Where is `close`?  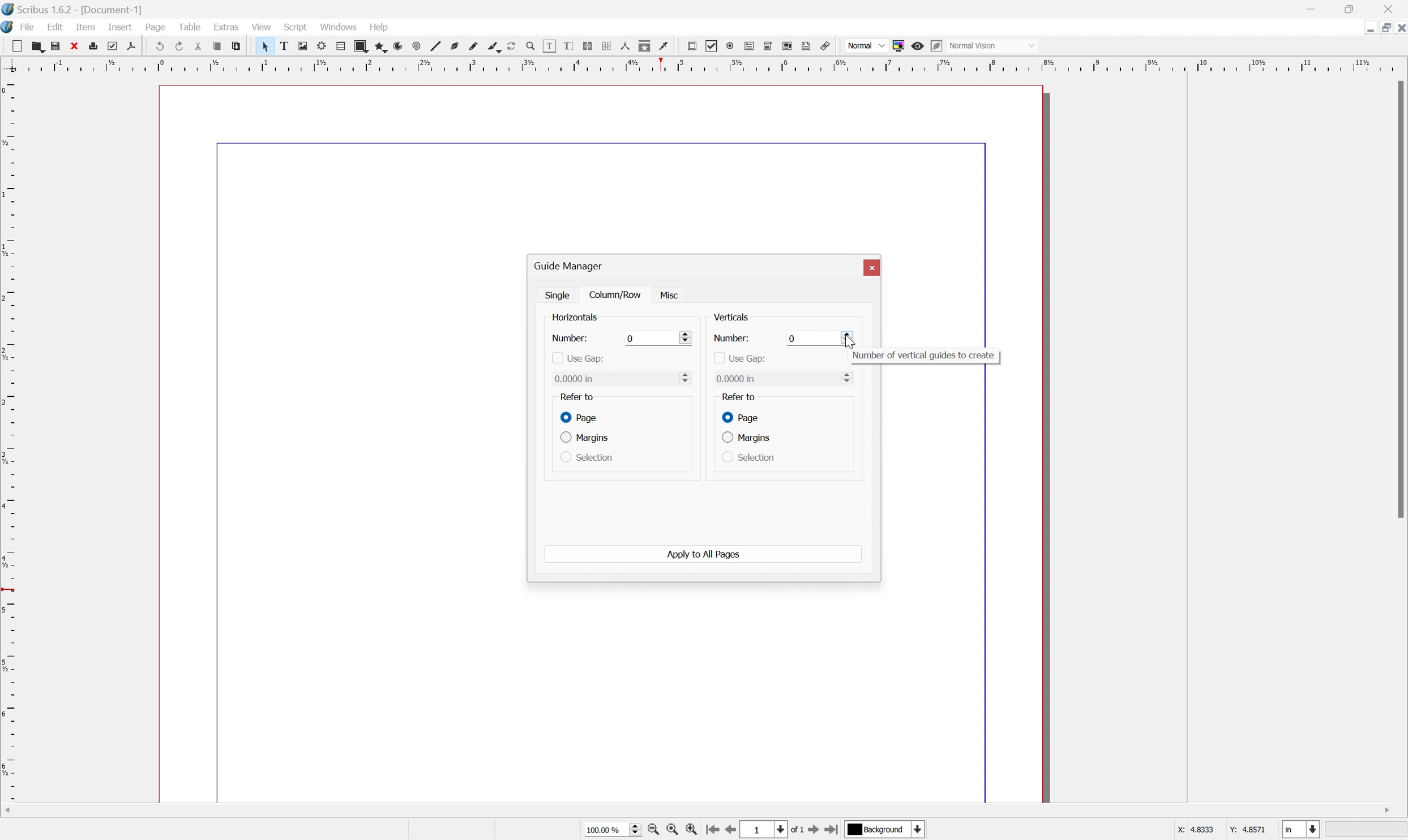 close is located at coordinates (1399, 28).